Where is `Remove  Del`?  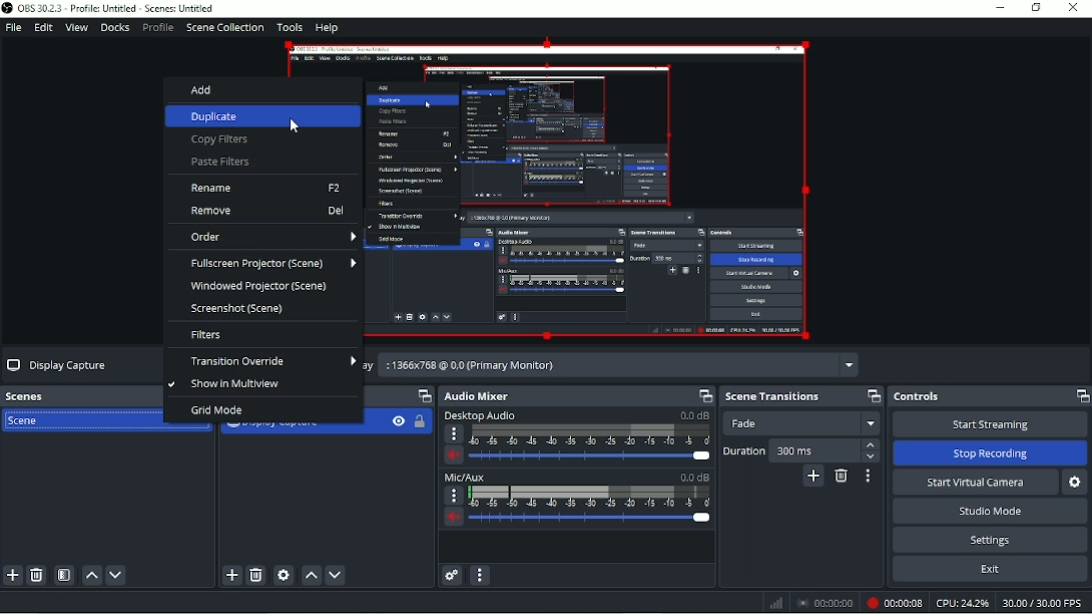
Remove  Del is located at coordinates (266, 211).